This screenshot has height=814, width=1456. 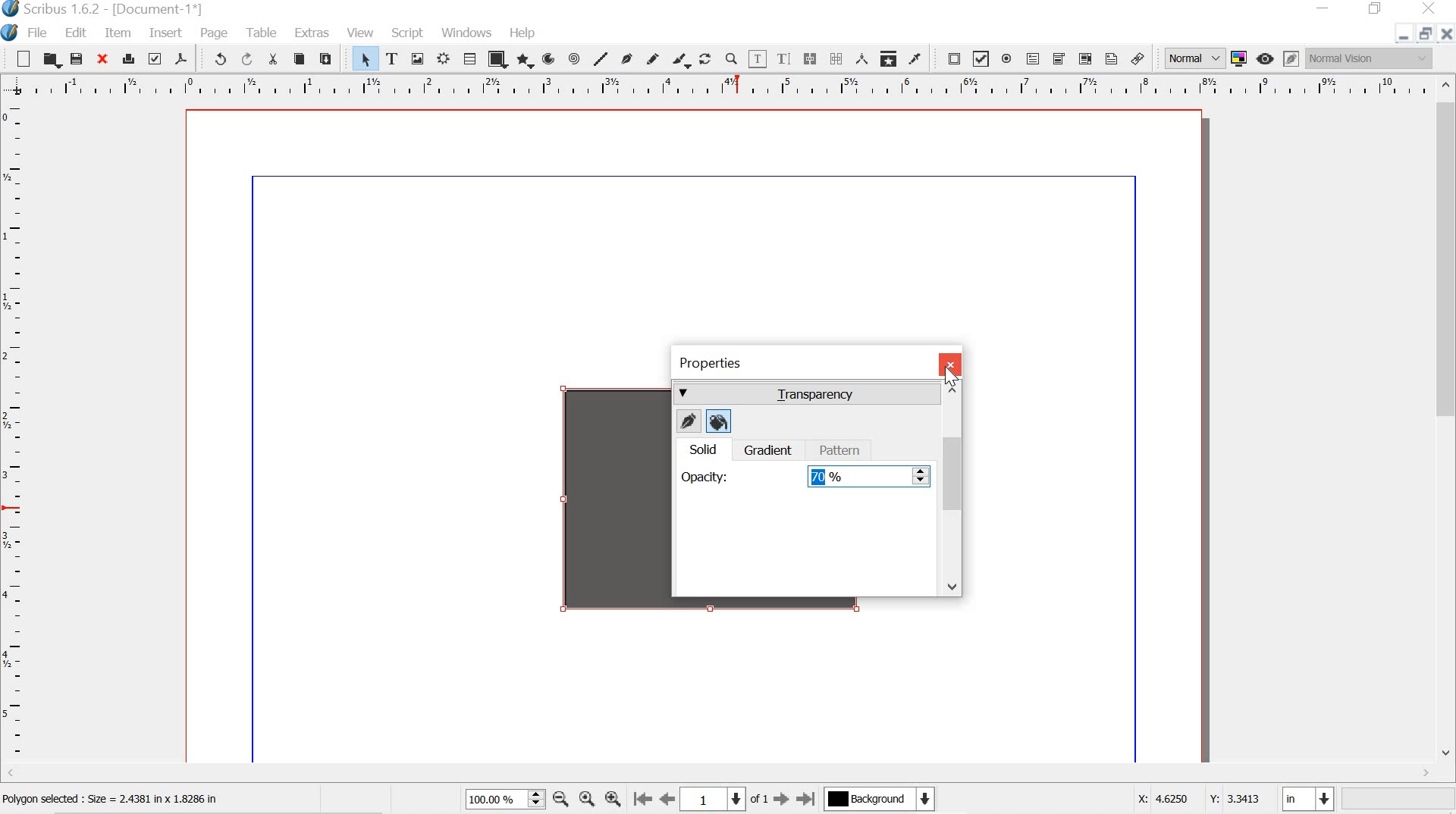 I want to click on pdf push button, so click(x=951, y=58).